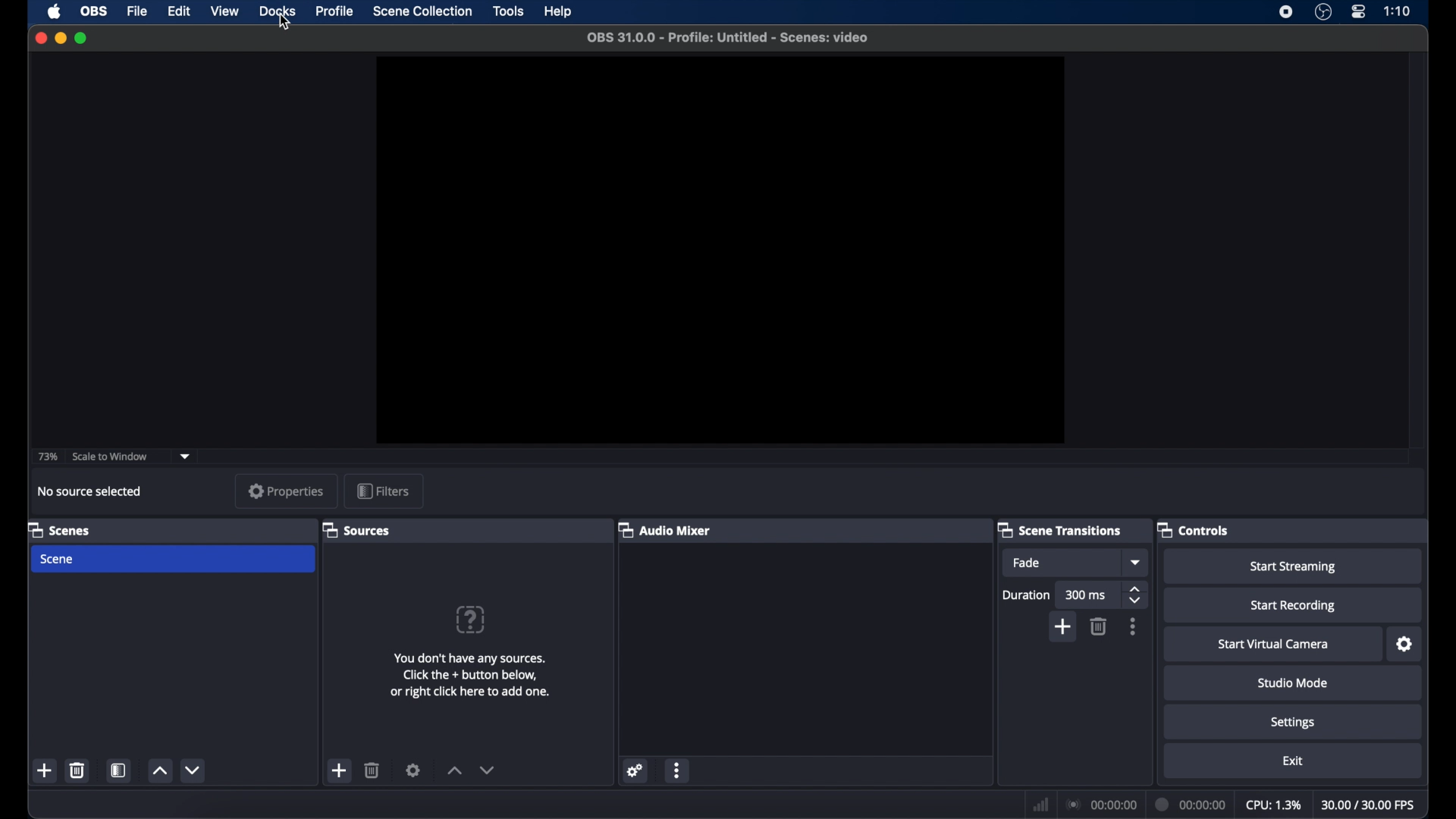 The image size is (1456, 819). What do you see at coordinates (286, 490) in the screenshot?
I see `properties` at bounding box center [286, 490].